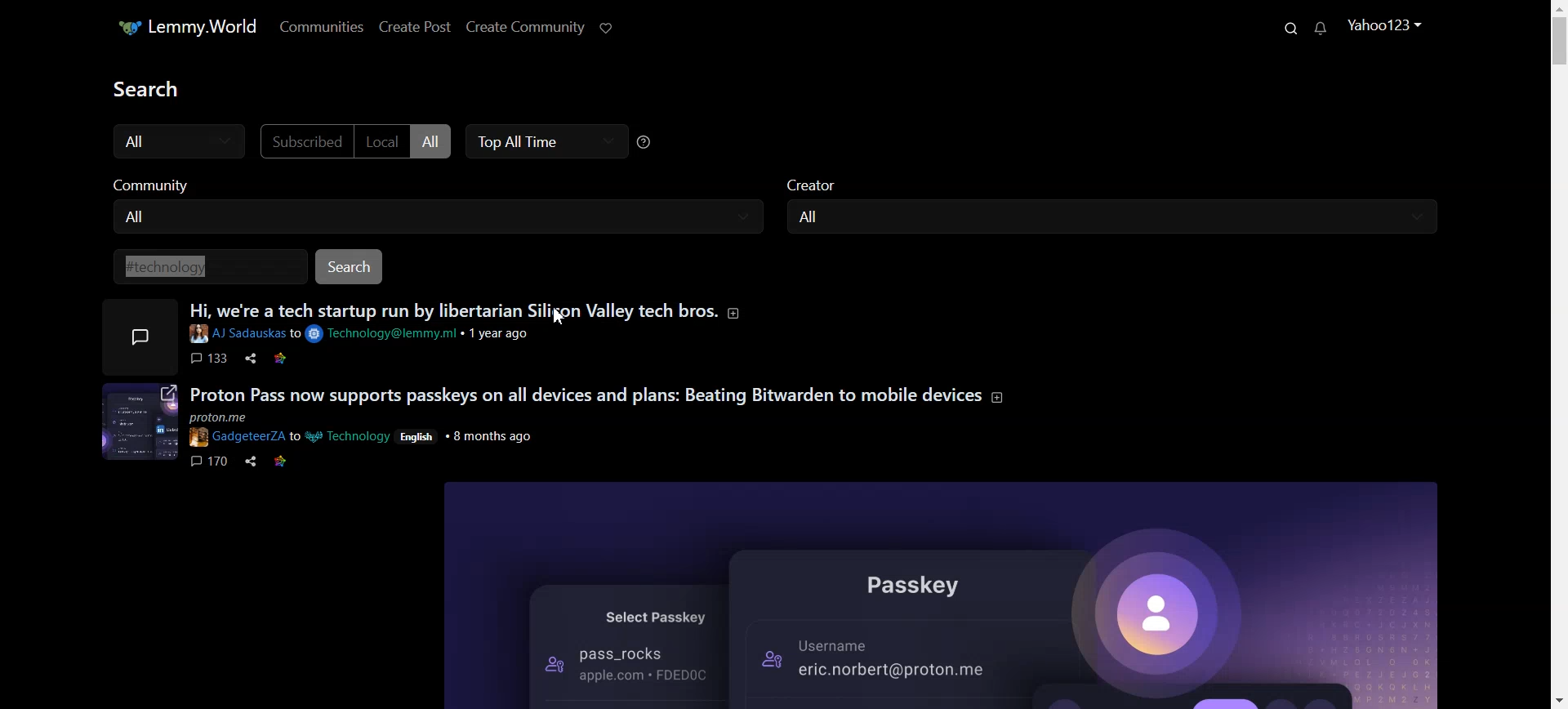  What do you see at coordinates (252, 359) in the screenshot?
I see `share` at bounding box center [252, 359].